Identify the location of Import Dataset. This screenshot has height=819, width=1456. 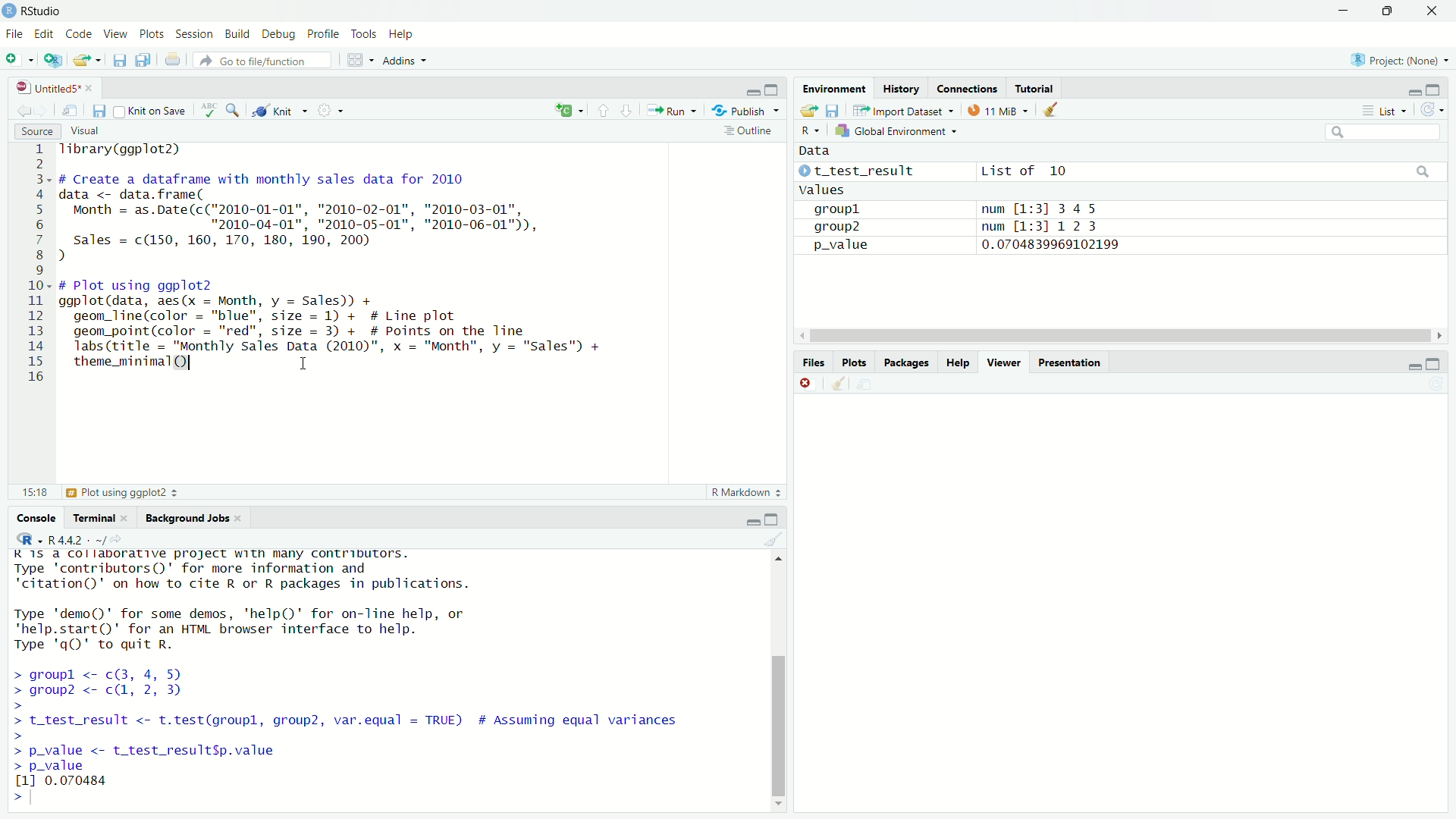
(900, 111).